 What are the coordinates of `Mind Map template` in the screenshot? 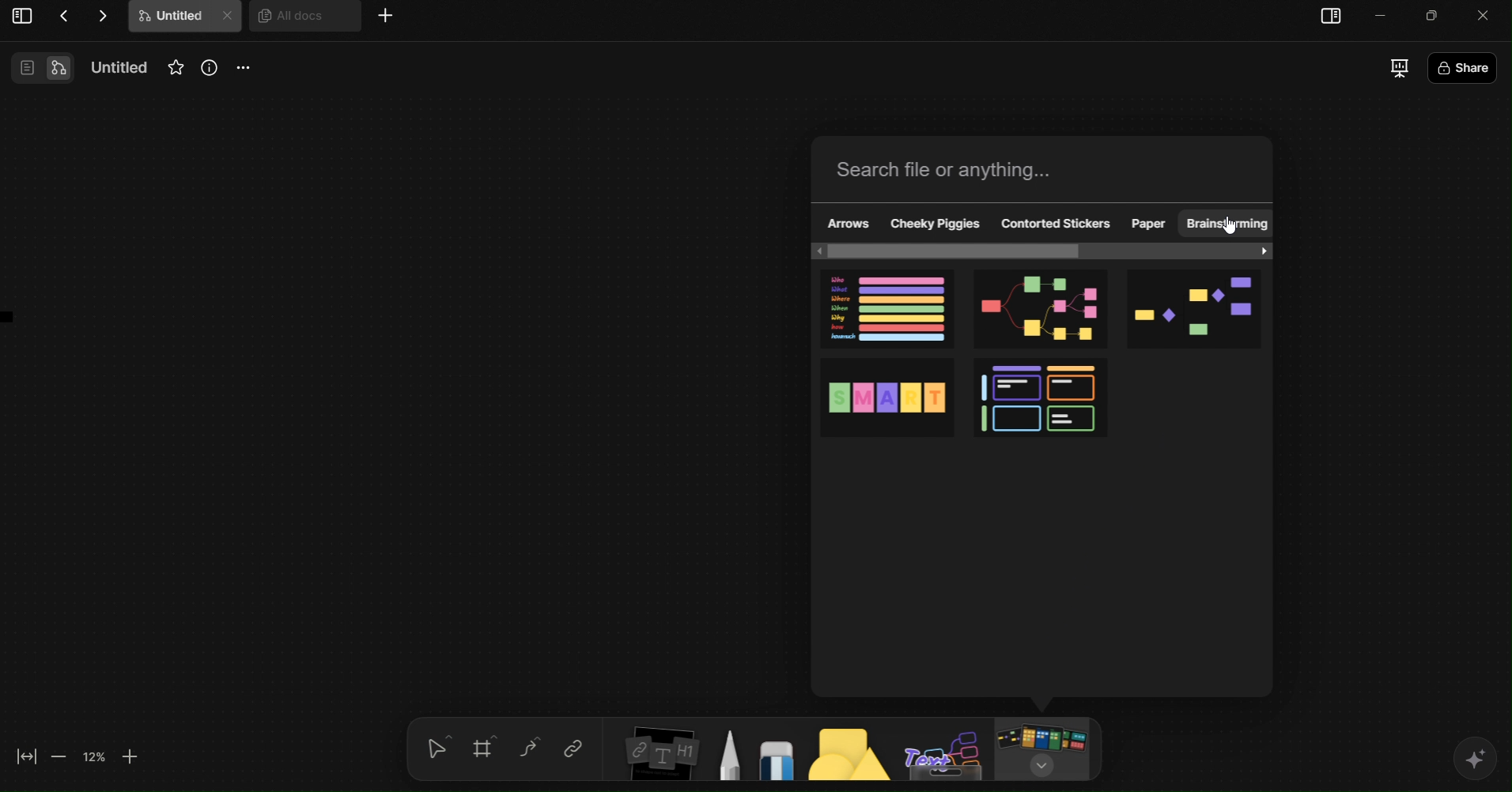 It's located at (1041, 312).